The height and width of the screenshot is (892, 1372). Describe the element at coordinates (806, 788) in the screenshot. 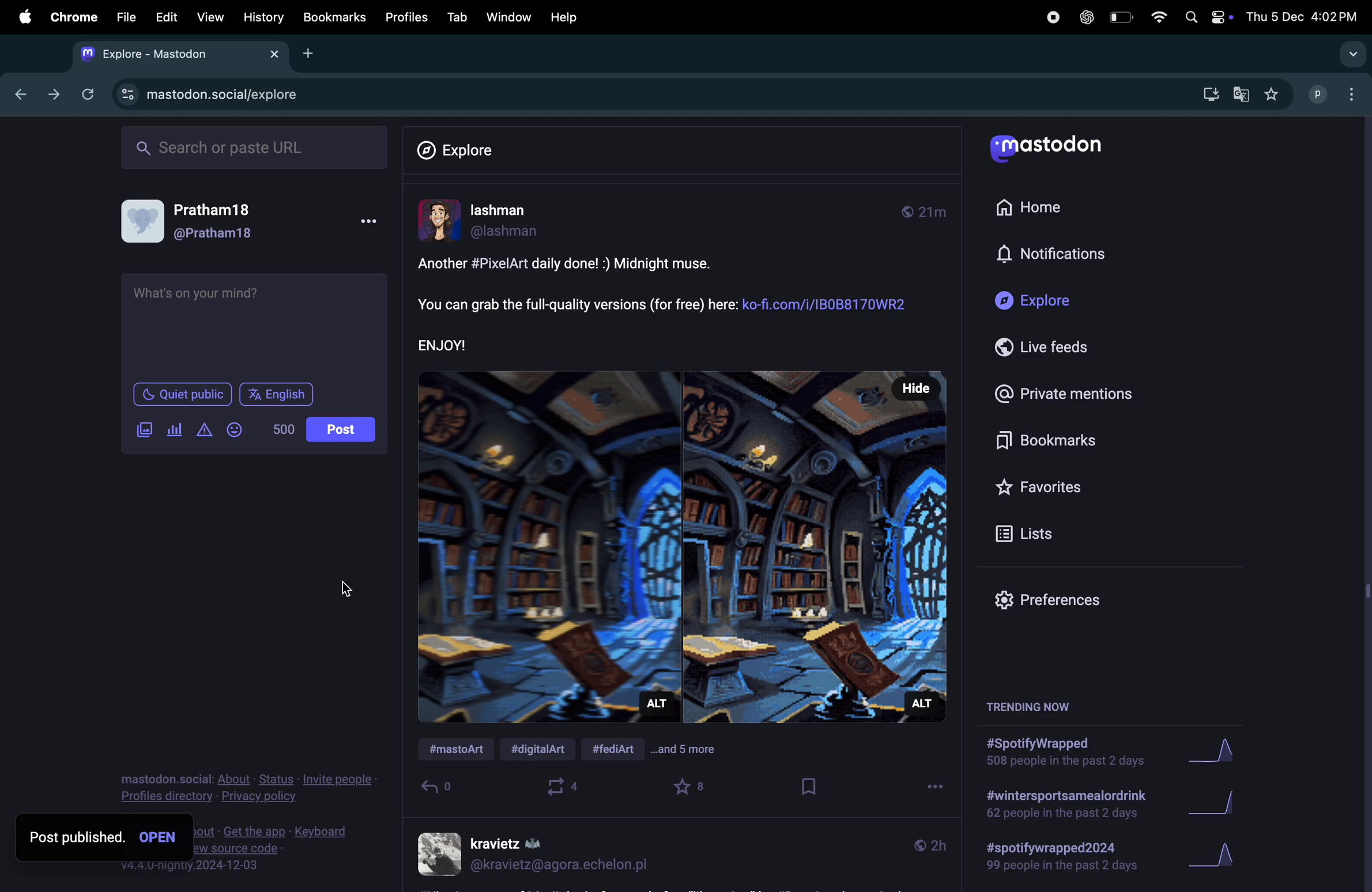

I see `book mark` at that location.